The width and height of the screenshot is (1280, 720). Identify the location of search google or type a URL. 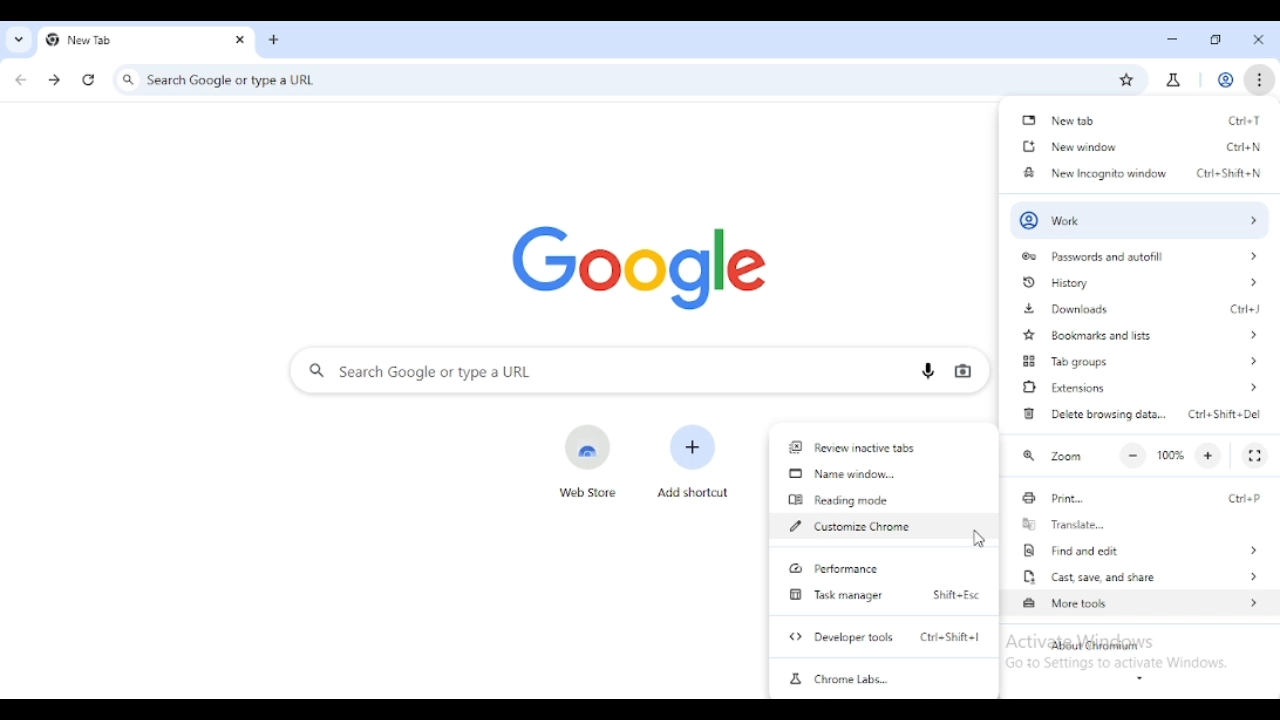
(598, 80).